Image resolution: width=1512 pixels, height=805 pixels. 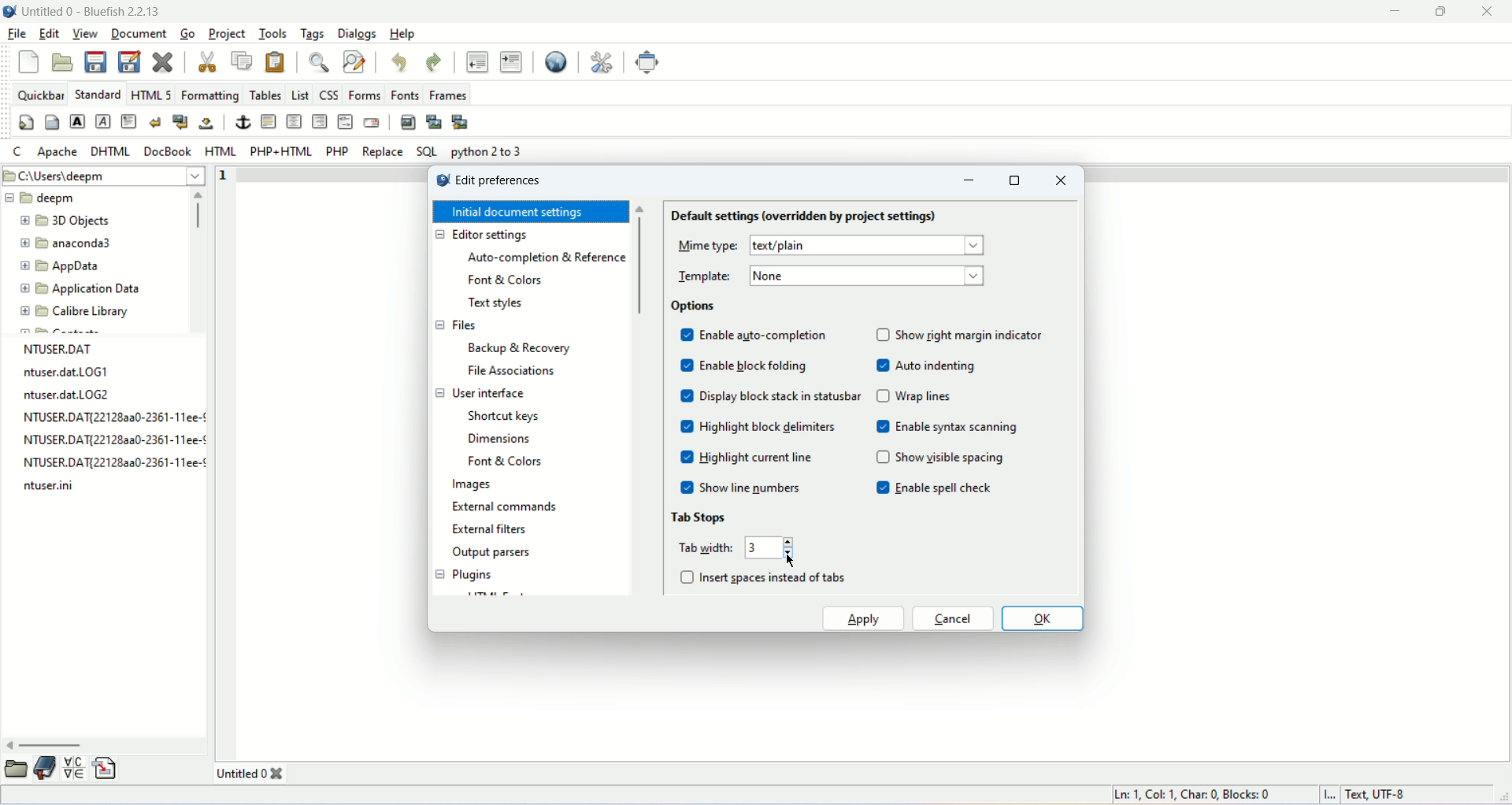 What do you see at coordinates (480, 235) in the screenshot?
I see `editor settings` at bounding box center [480, 235].